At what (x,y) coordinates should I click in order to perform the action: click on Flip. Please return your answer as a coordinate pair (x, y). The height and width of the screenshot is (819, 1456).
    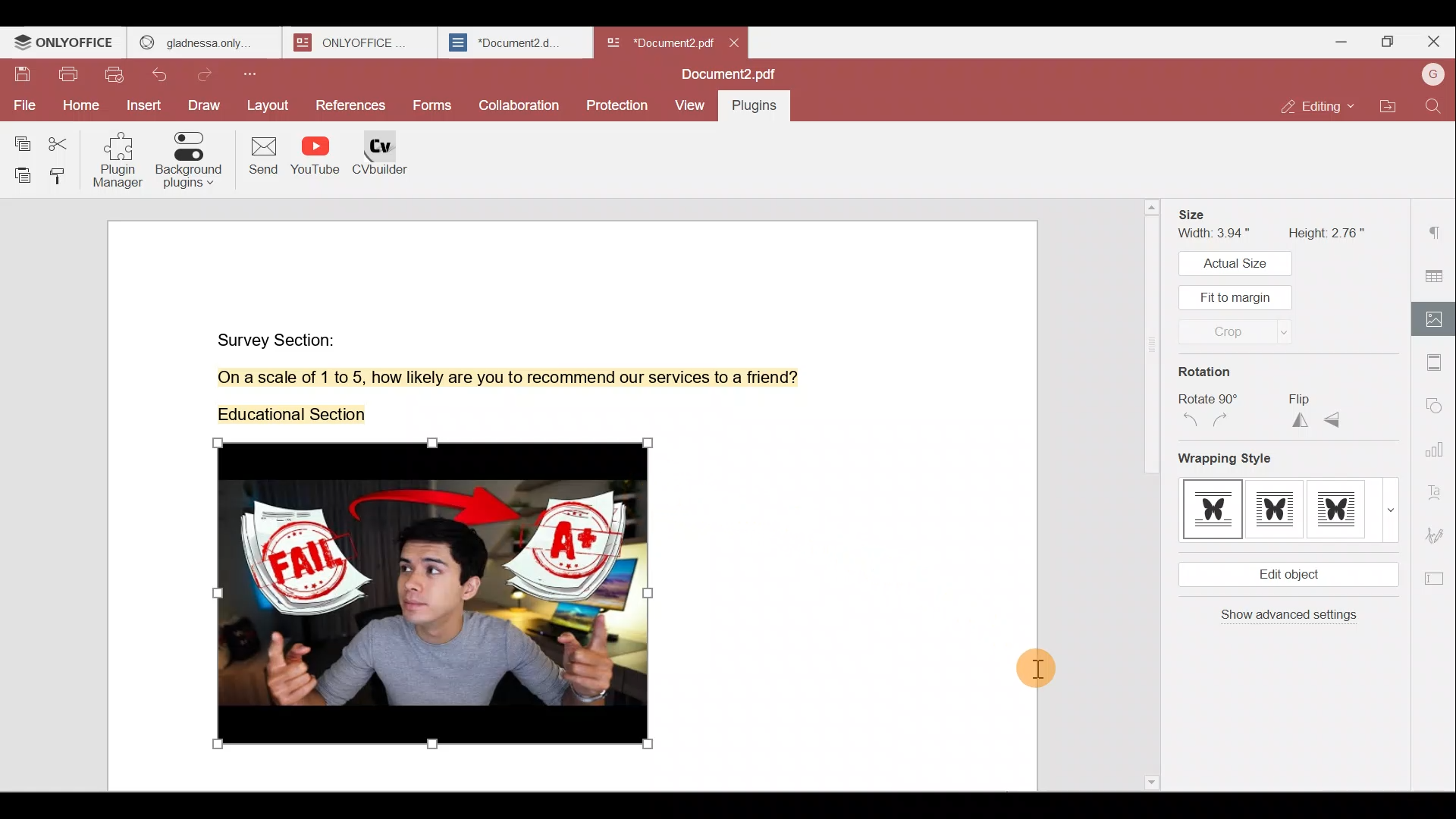
    Looking at the image, I should click on (1307, 413).